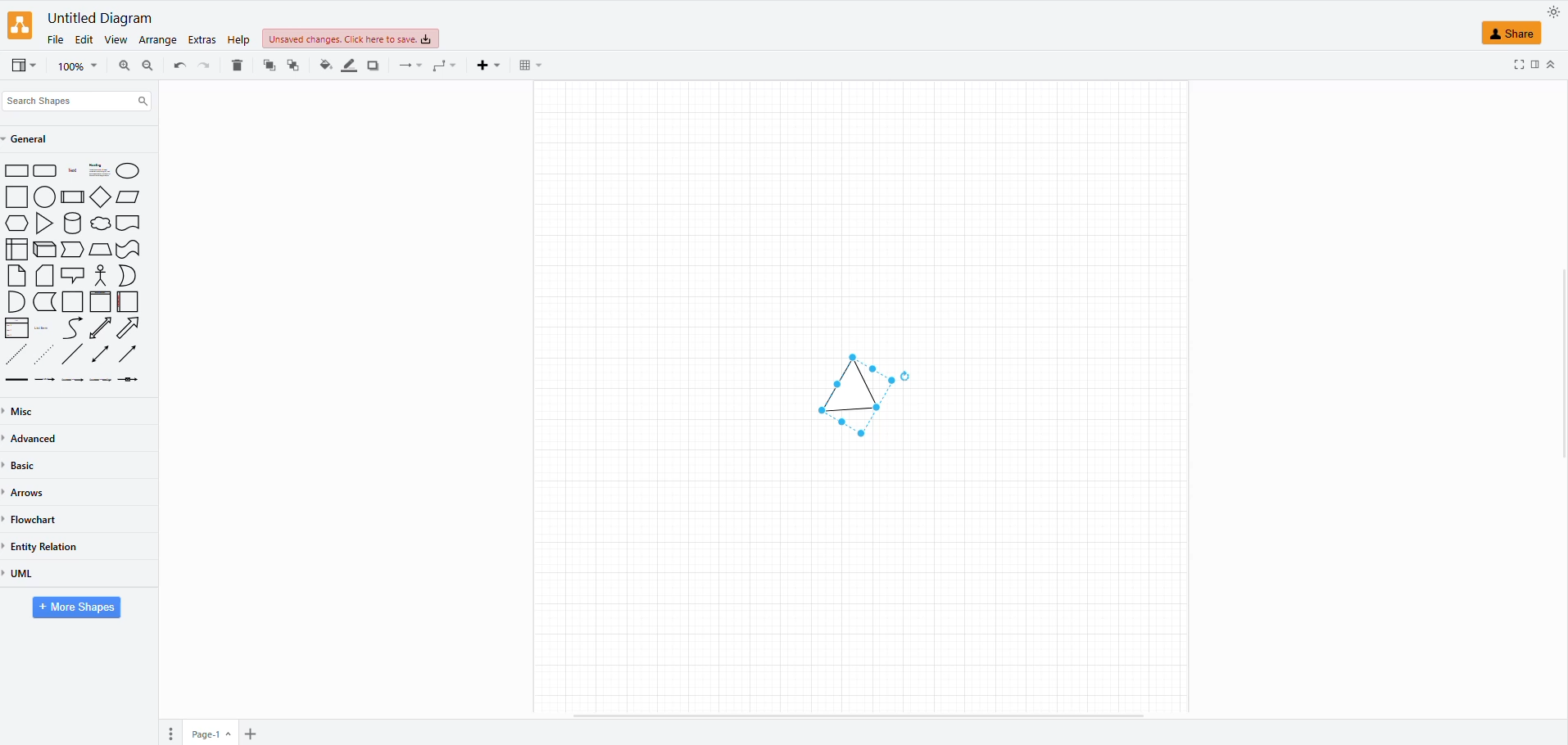 This screenshot has width=1568, height=745. Describe the element at coordinates (45, 302) in the screenshot. I see `Curved Page` at that location.